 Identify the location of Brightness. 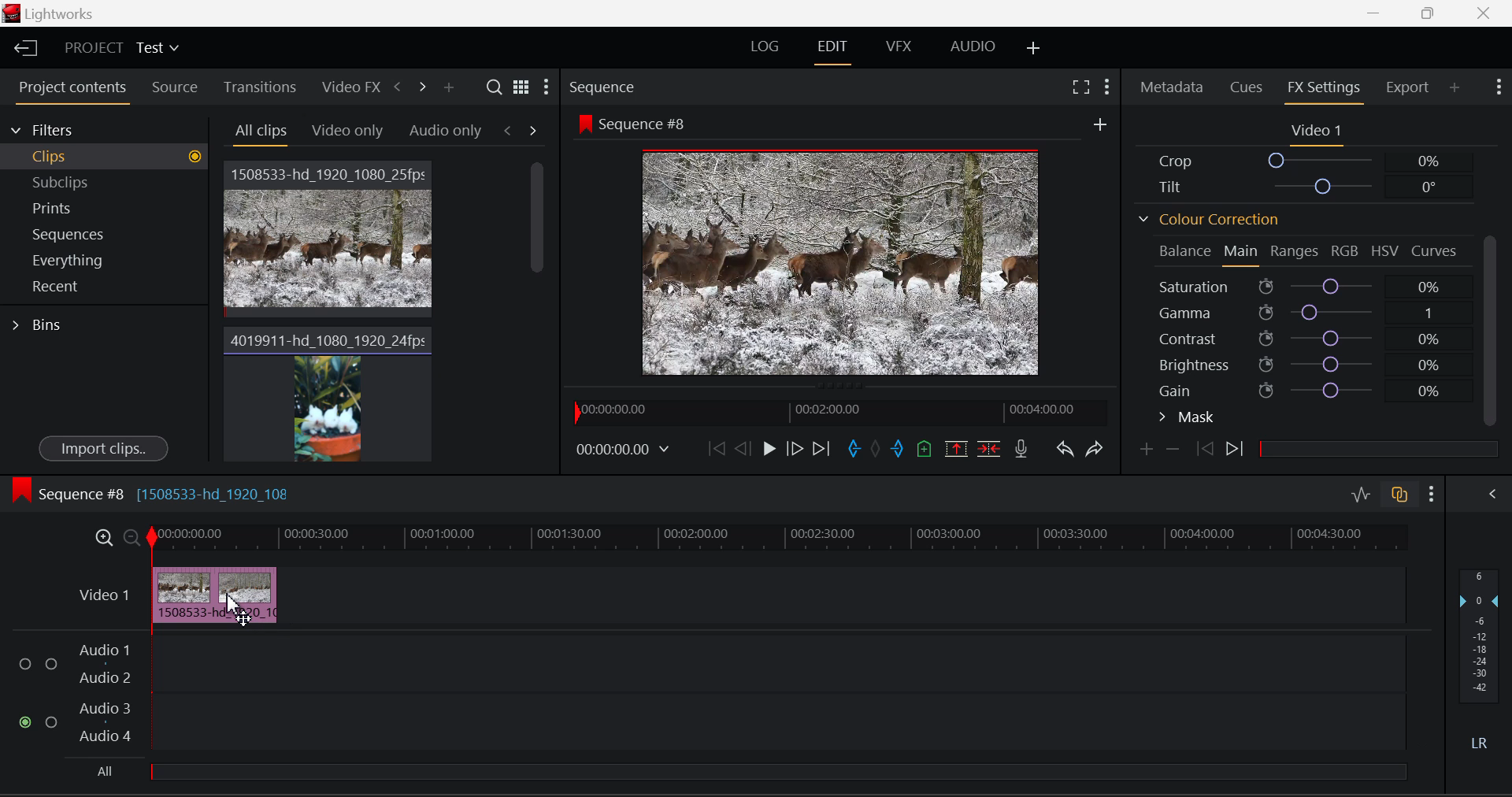
(1307, 367).